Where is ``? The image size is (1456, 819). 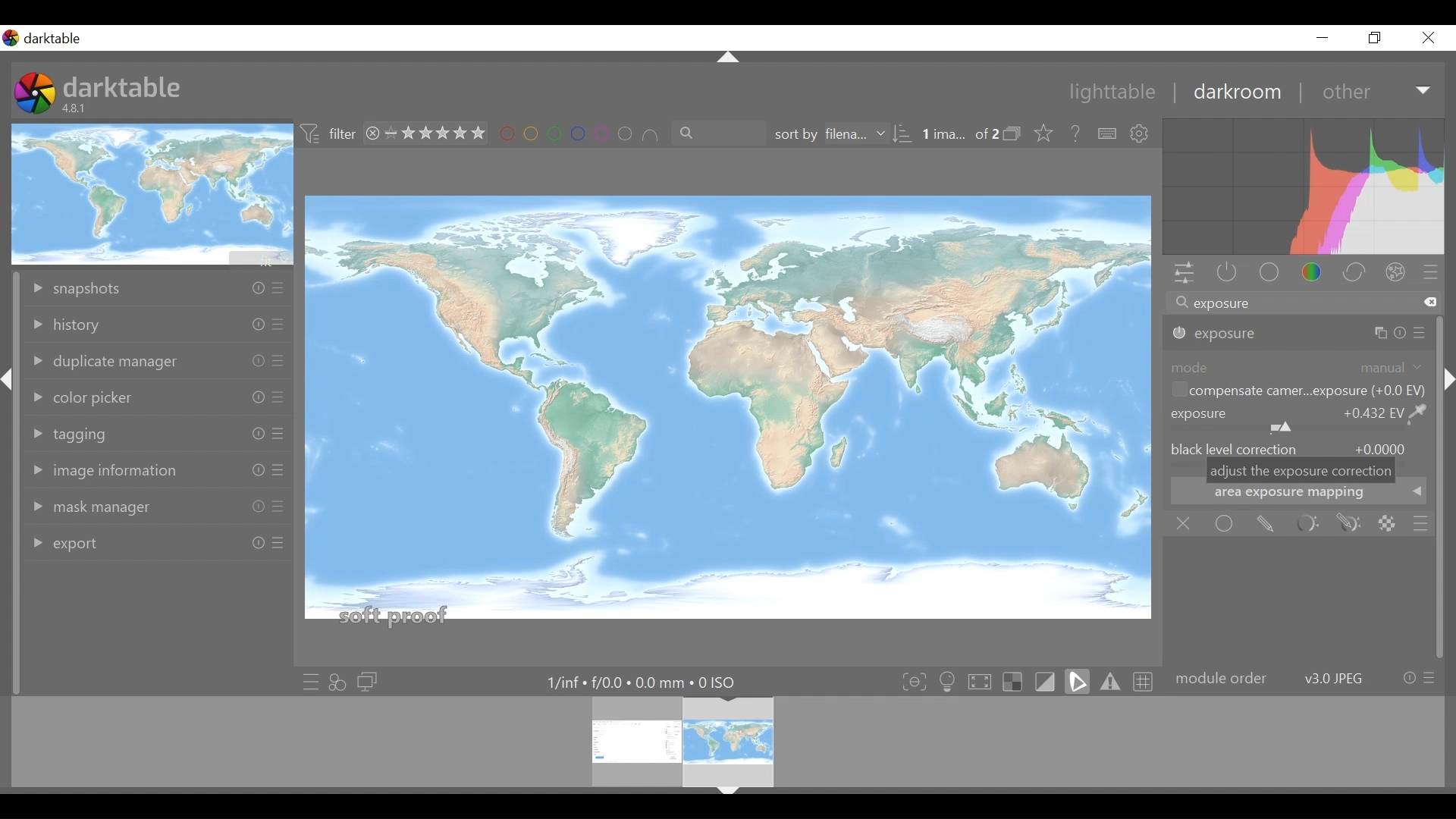
 is located at coordinates (249, 396).